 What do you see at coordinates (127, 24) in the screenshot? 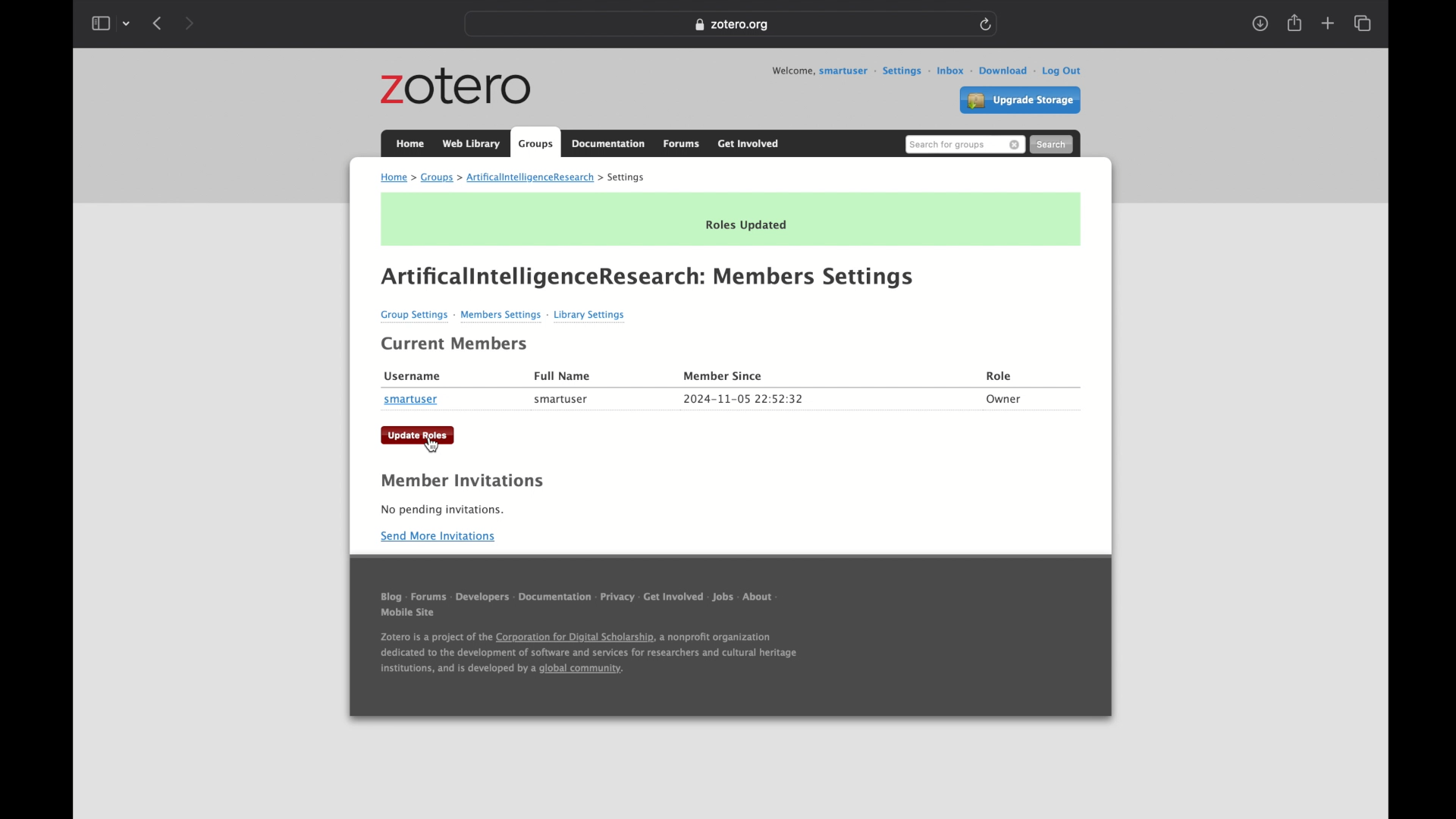
I see `tab group picker` at bounding box center [127, 24].